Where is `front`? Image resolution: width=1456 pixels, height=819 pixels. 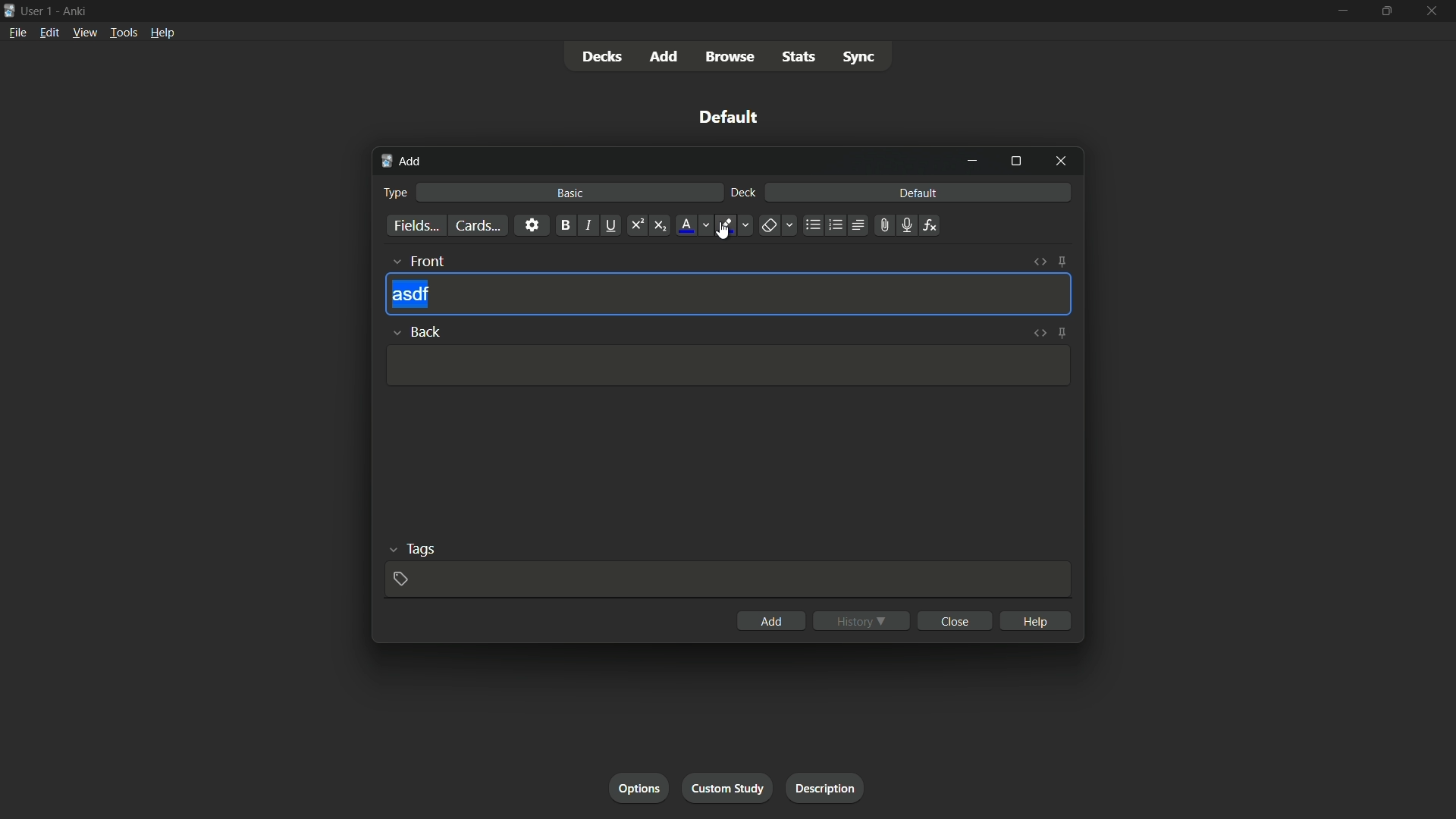 front is located at coordinates (417, 260).